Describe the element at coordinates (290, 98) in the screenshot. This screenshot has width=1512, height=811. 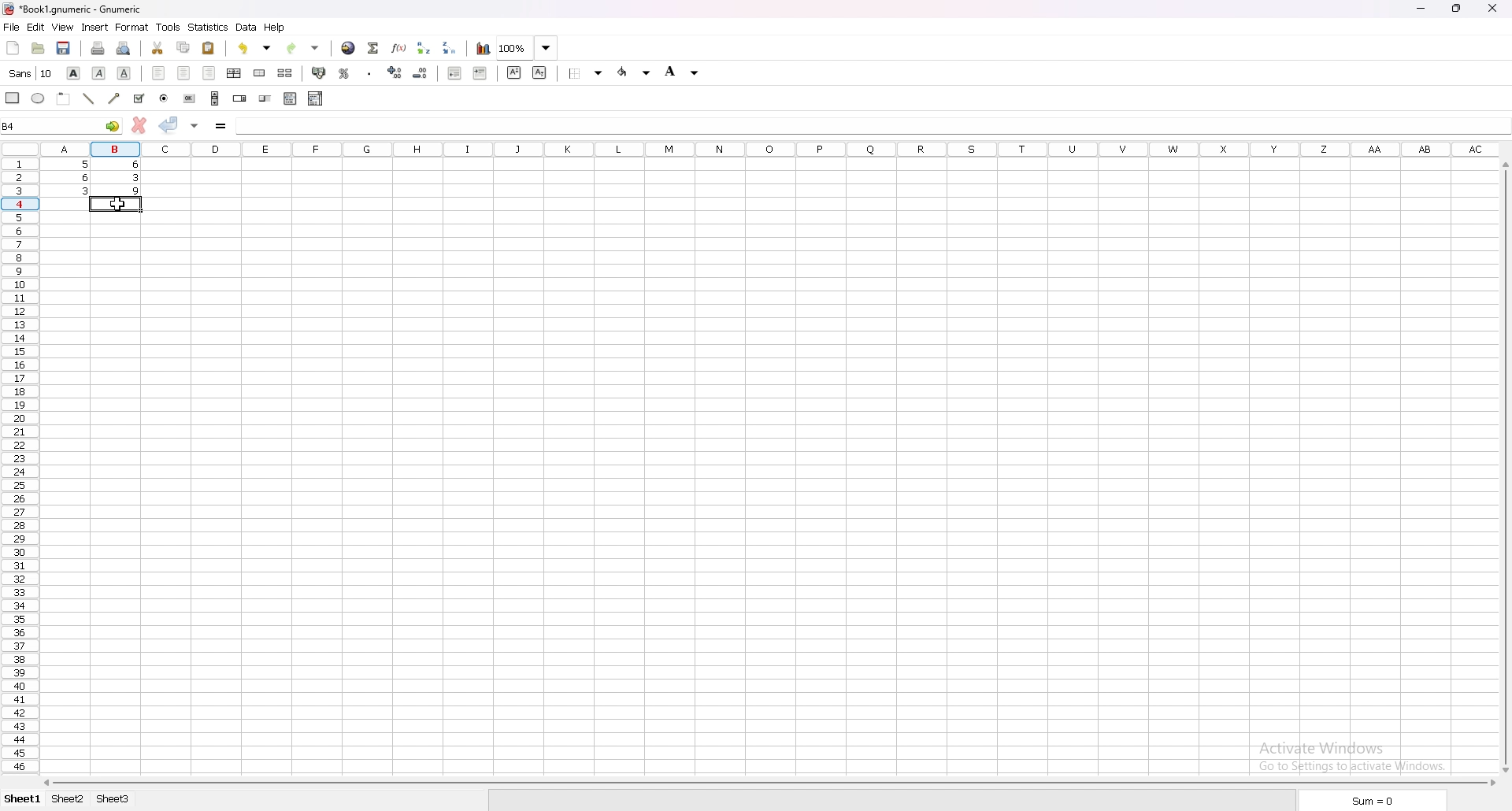
I see `list` at that location.